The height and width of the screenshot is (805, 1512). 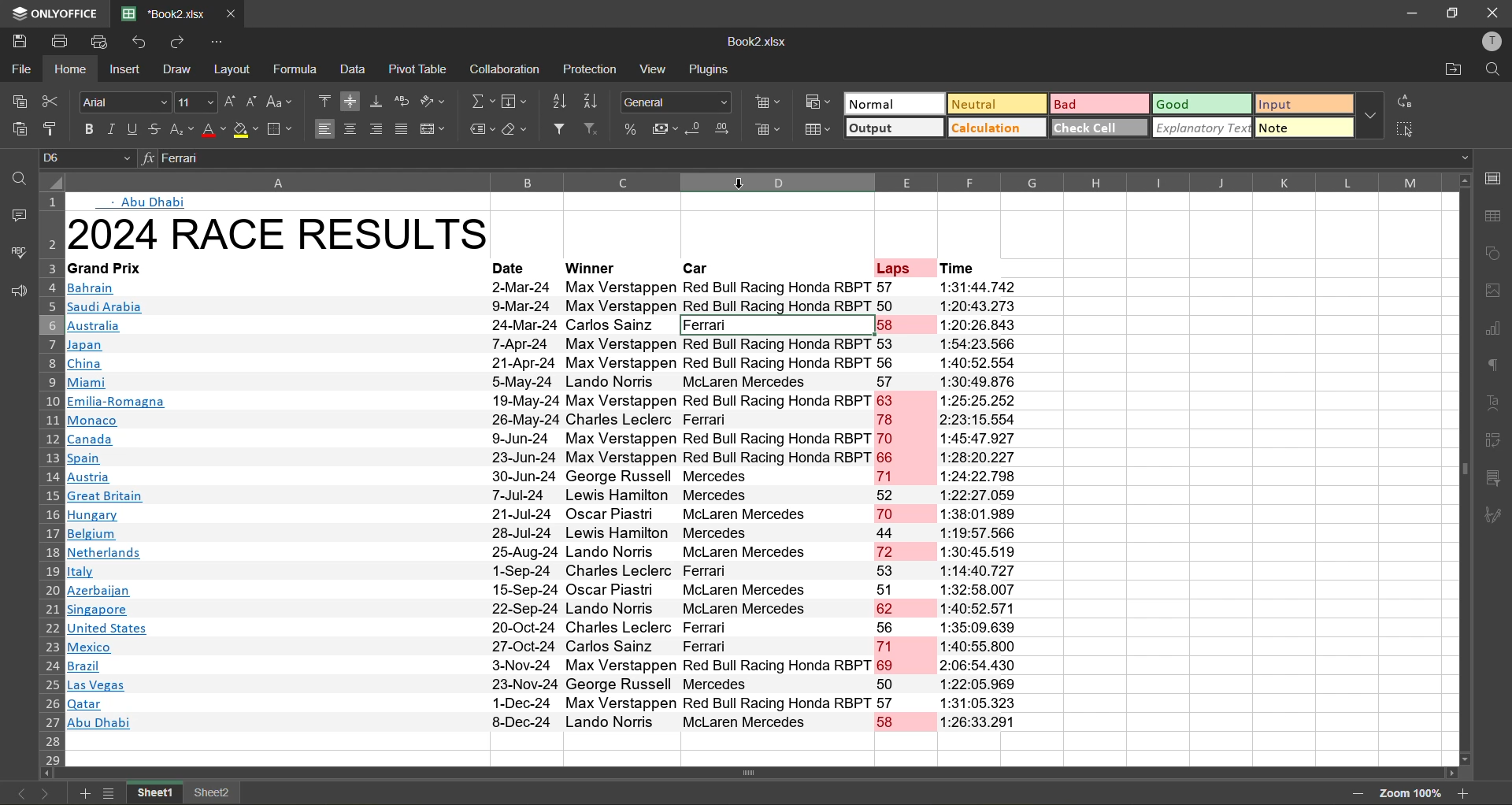 I want to click on find, so click(x=1494, y=69).